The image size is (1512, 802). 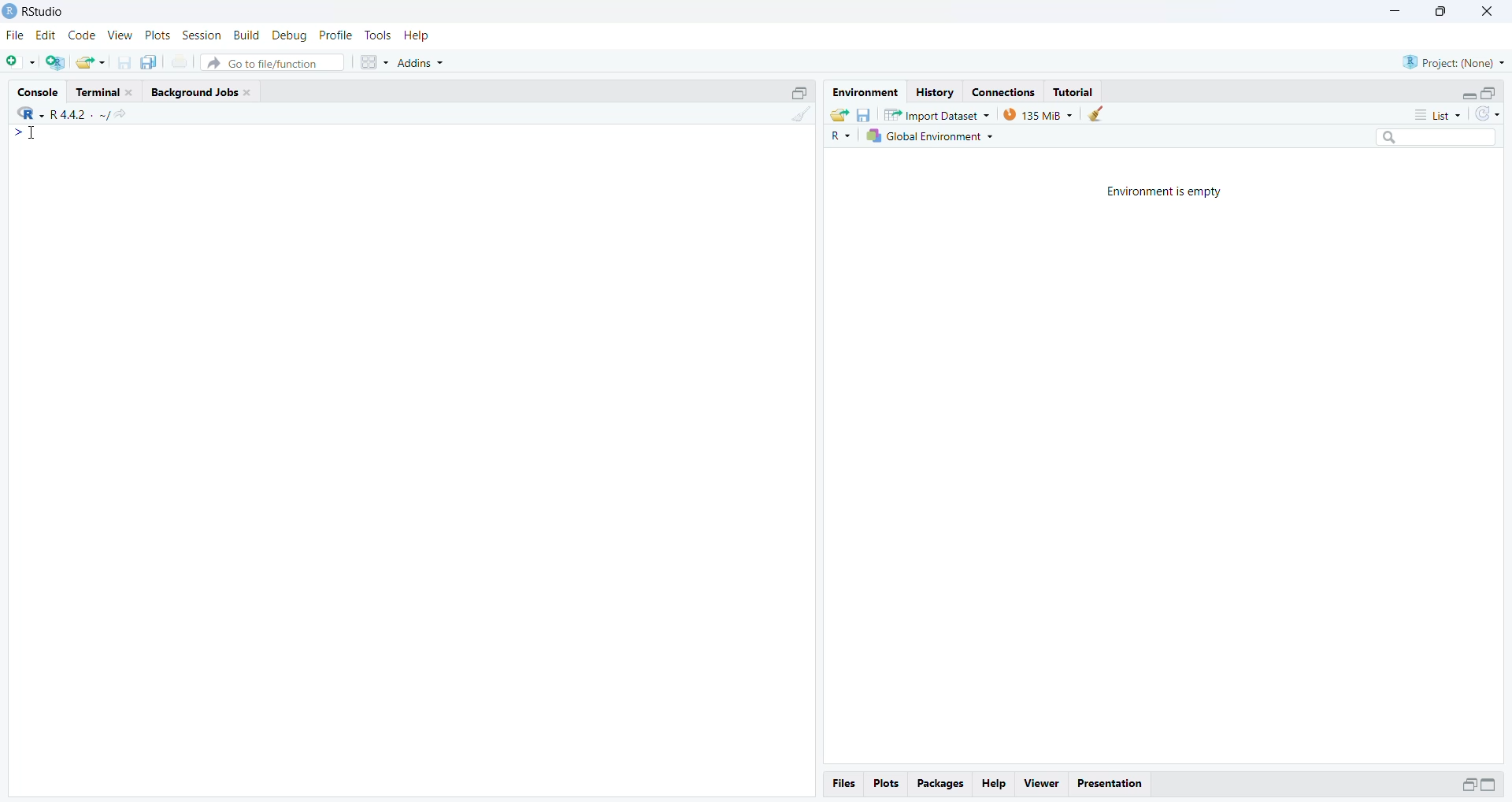 I want to click on Refresh the list of objects in the environment, so click(x=1488, y=115).